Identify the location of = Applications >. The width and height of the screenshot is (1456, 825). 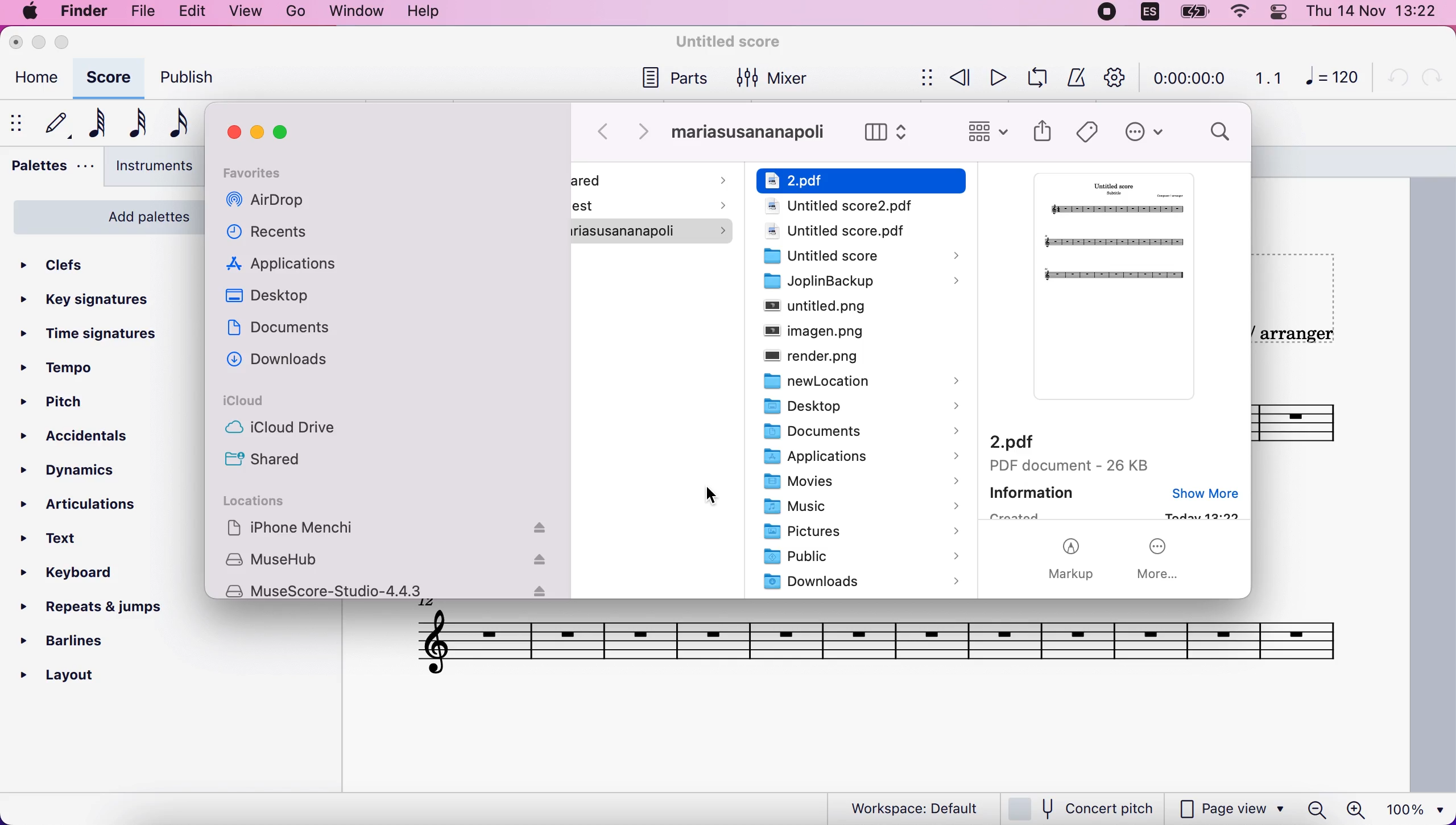
(851, 458).